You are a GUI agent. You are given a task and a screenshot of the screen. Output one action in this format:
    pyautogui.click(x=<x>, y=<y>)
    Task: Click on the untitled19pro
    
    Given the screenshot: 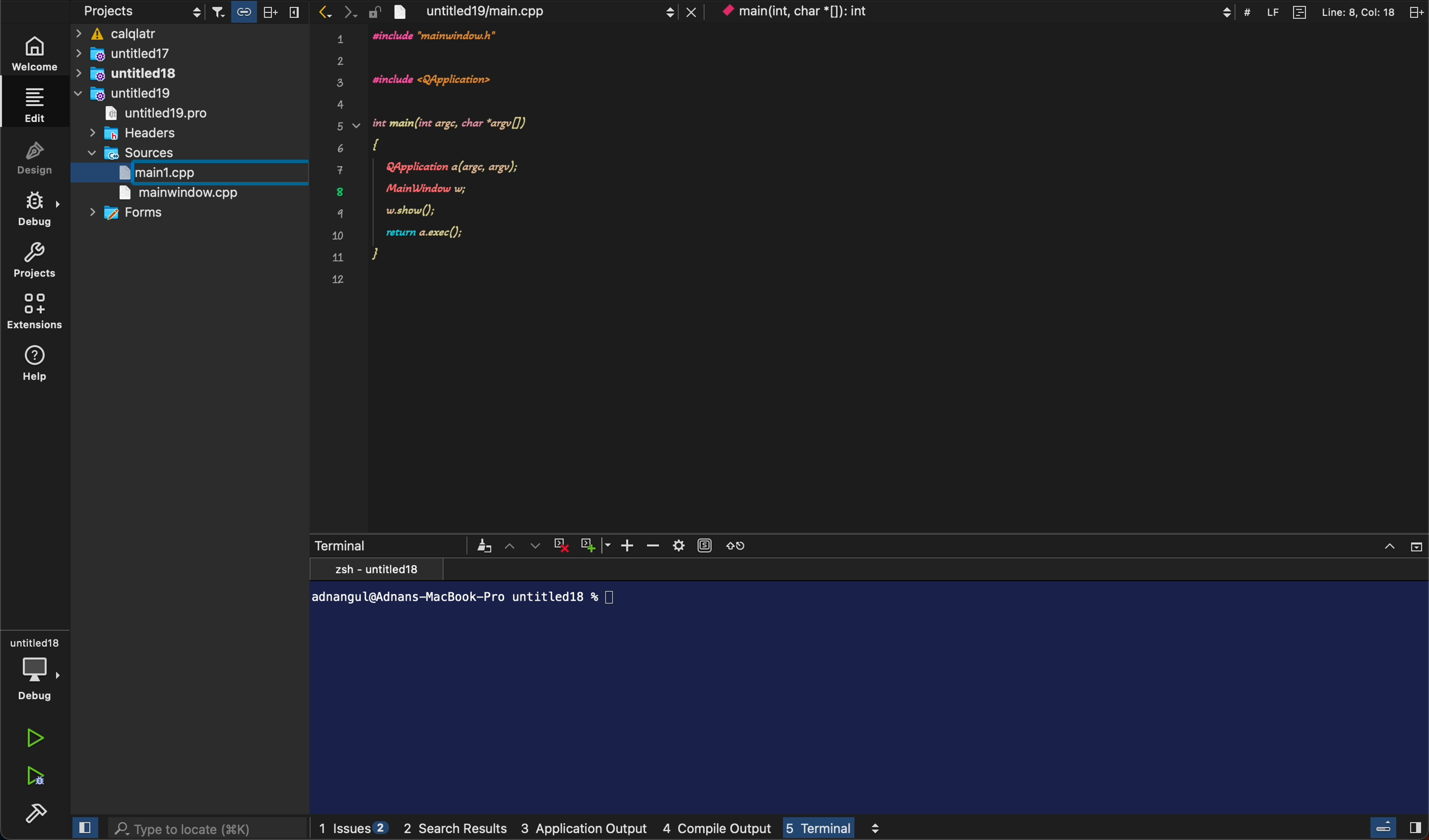 What is the action you would take?
    pyautogui.click(x=155, y=113)
    